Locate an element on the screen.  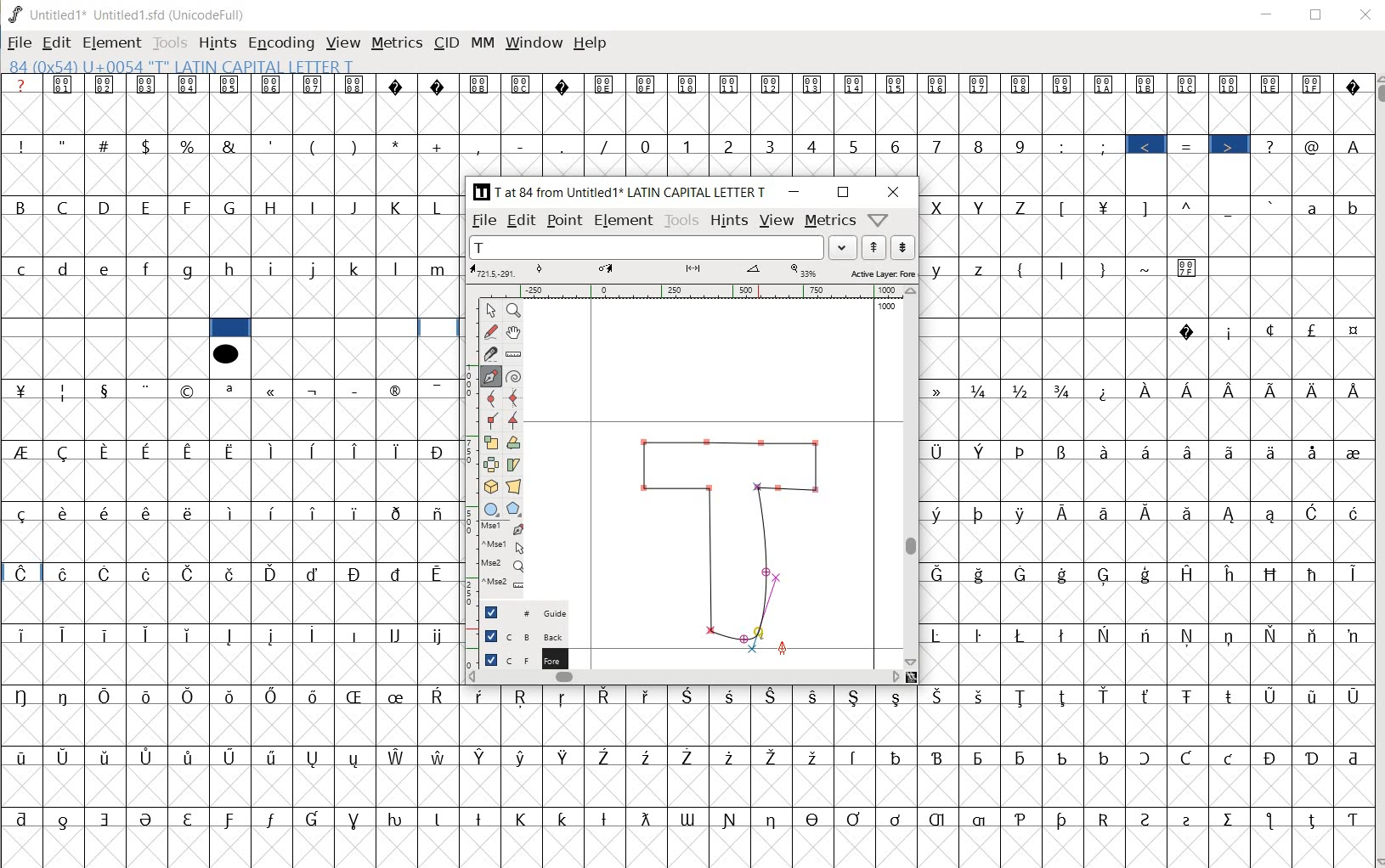
Symbol is located at coordinates (1230, 451).